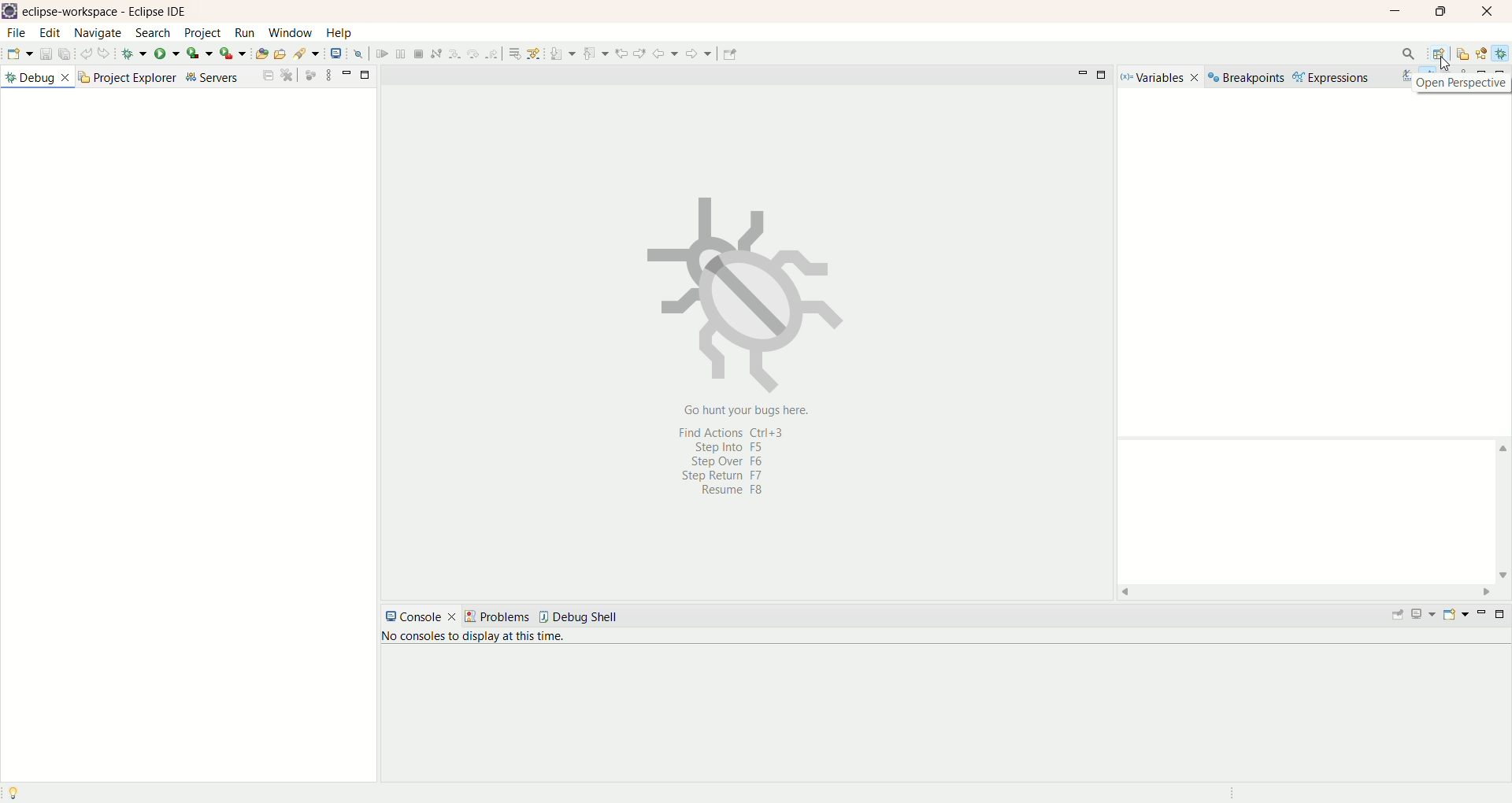 The height and width of the screenshot is (803, 1512). What do you see at coordinates (1503, 54) in the screenshot?
I see `debug` at bounding box center [1503, 54].